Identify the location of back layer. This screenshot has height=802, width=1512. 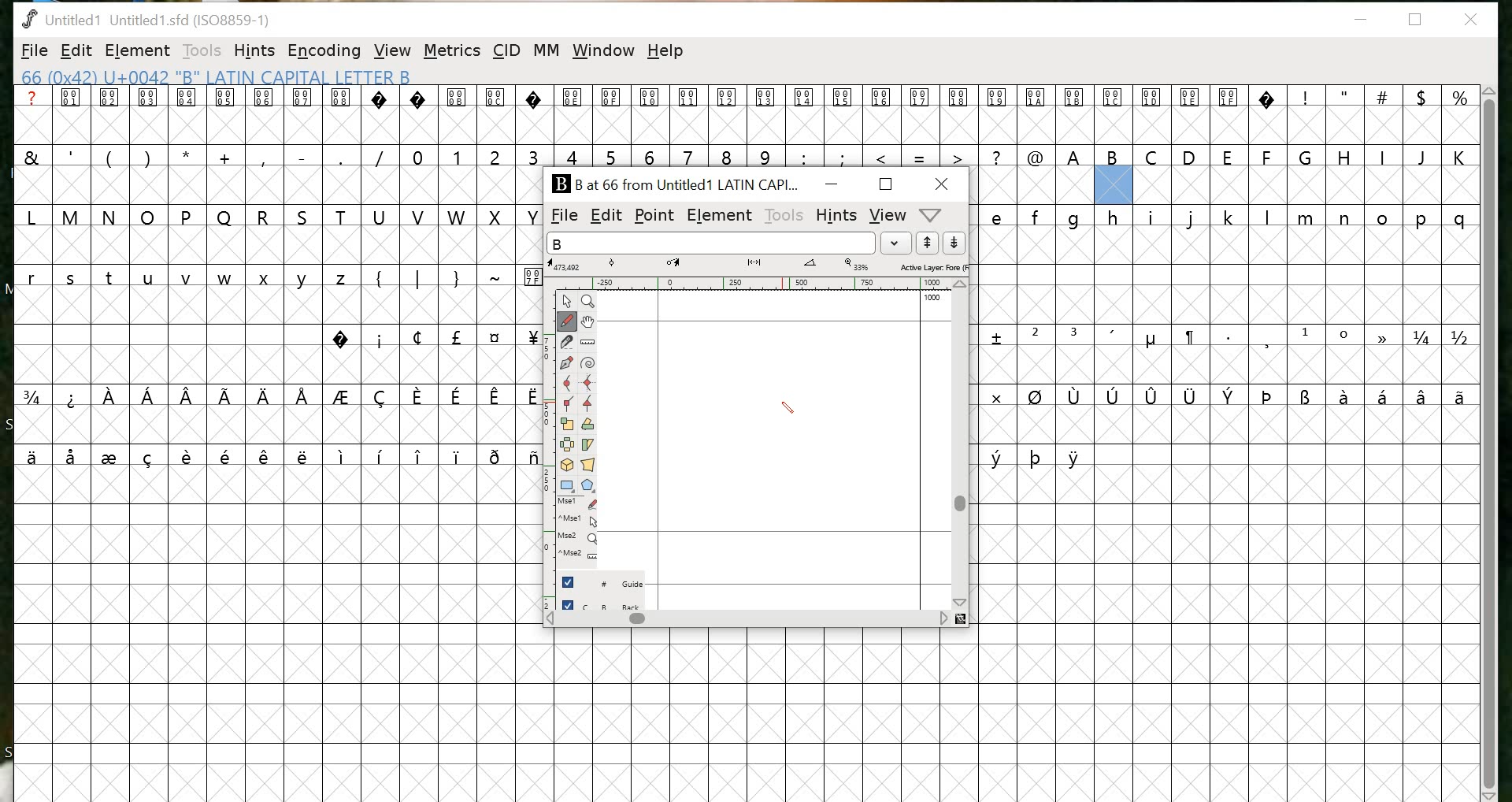
(603, 603).